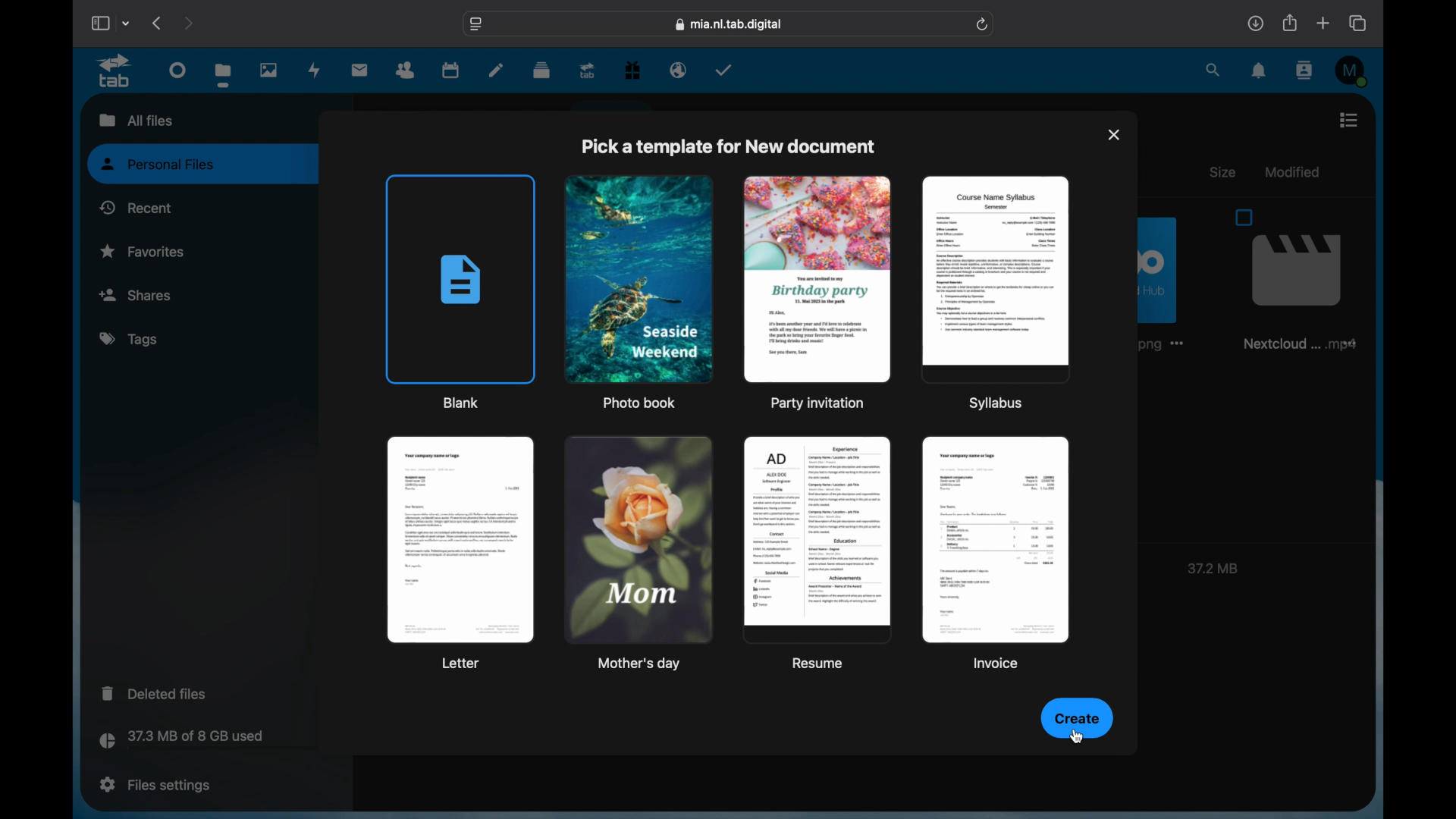 The height and width of the screenshot is (819, 1456). Describe the element at coordinates (1291, 171) in the screenshot. I see `modified` at that location.